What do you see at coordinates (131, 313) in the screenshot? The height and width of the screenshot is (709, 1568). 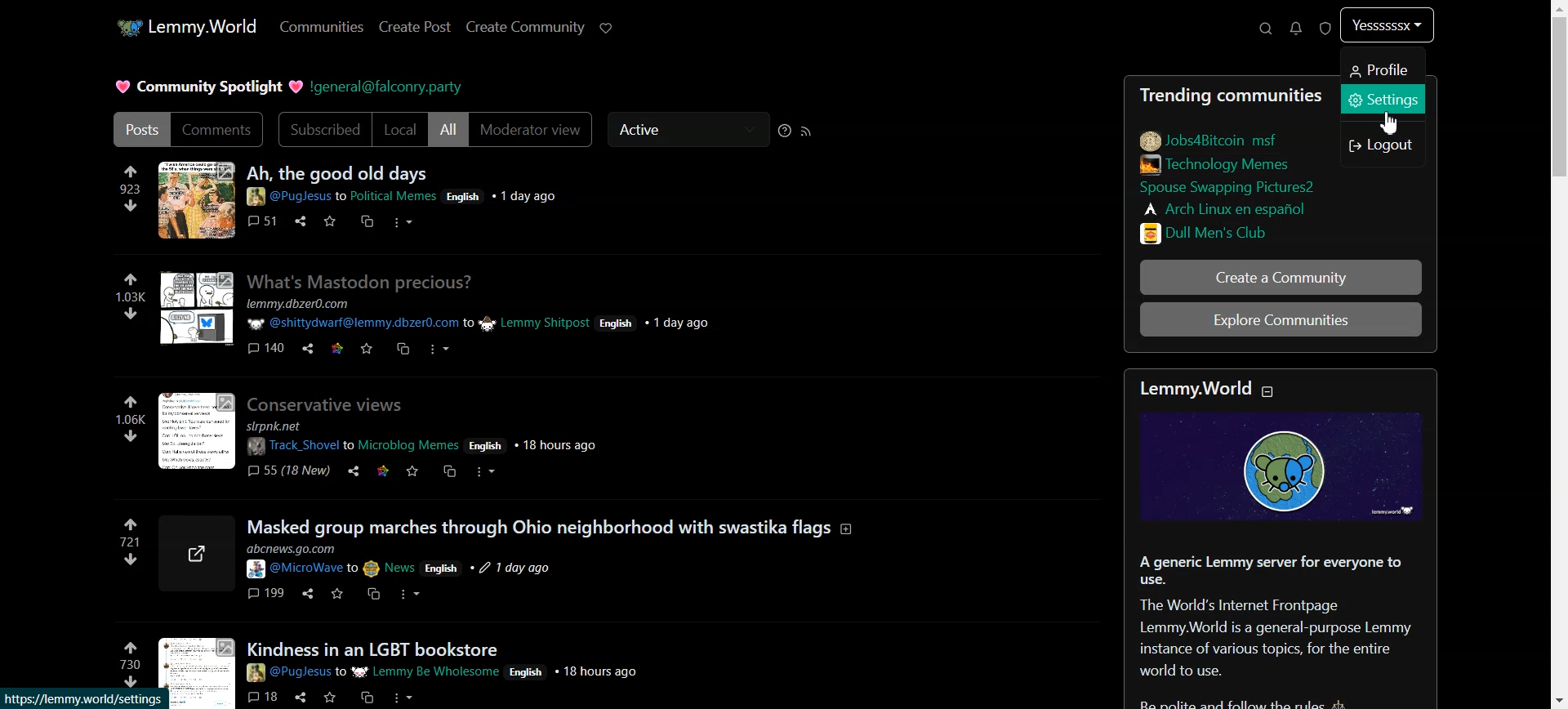 I see `downvote` at bounding box center [131, 313].